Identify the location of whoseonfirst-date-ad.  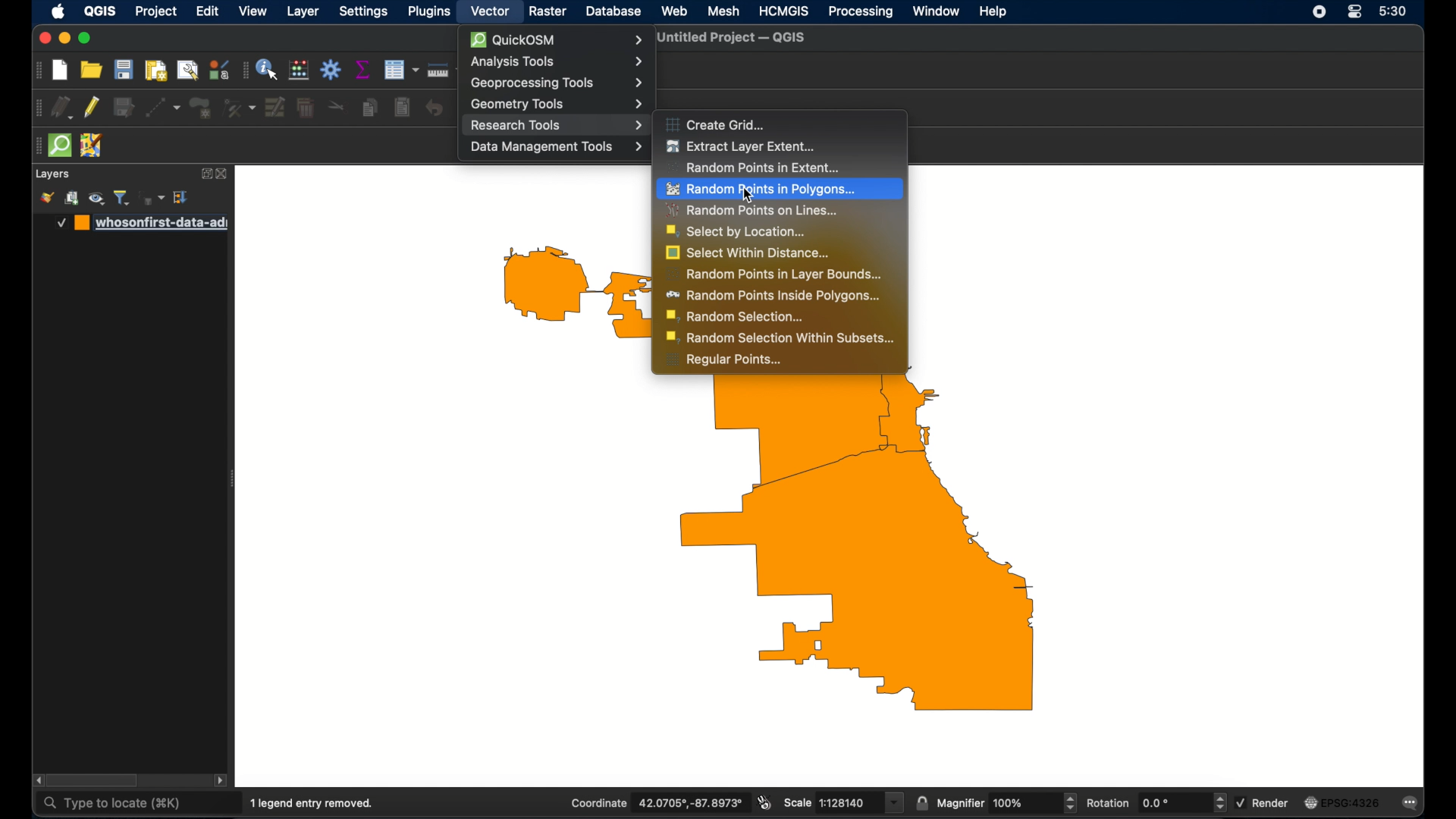
(142, 223).